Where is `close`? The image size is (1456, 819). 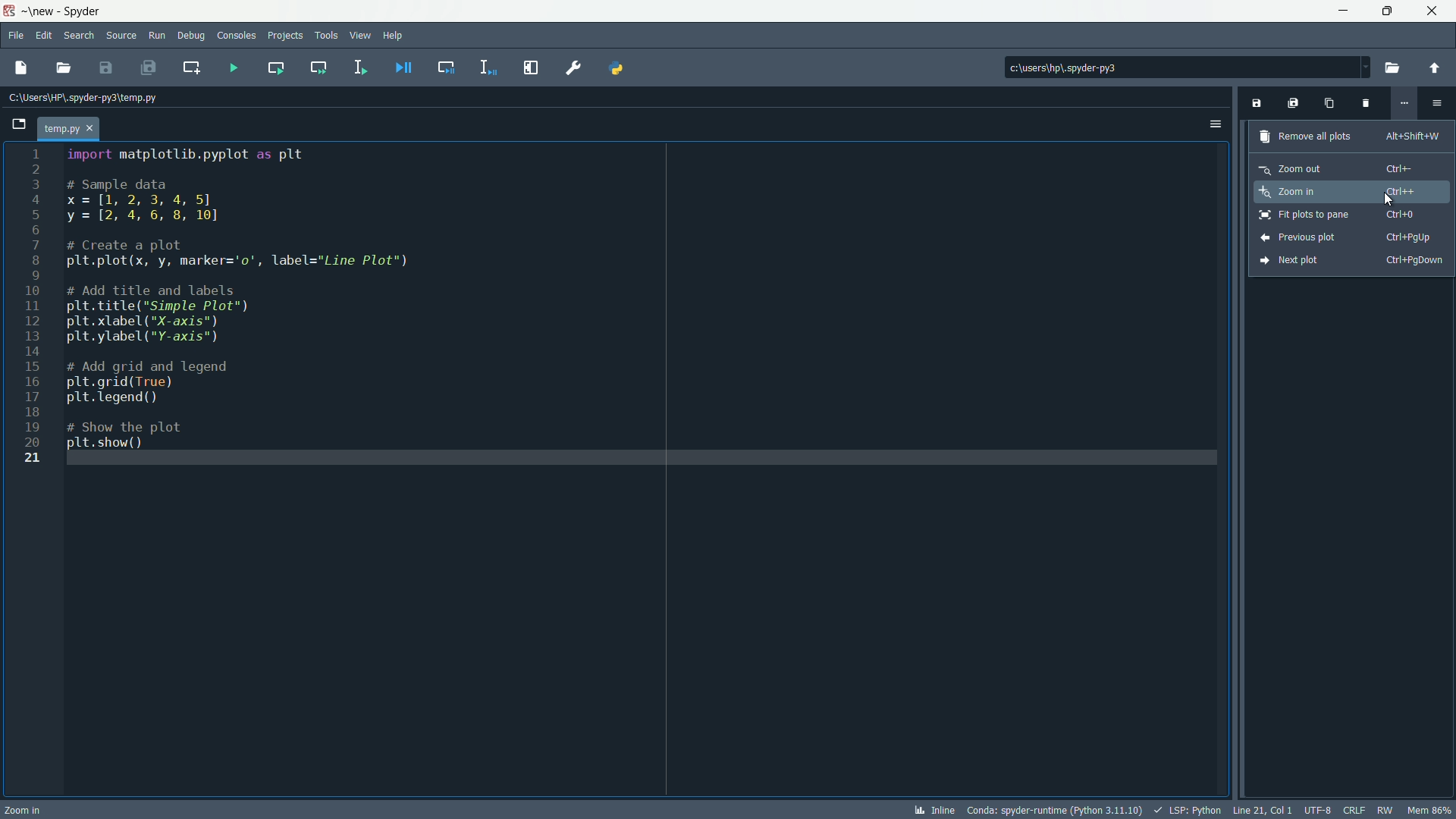
close is located at coordinates (332, 106).